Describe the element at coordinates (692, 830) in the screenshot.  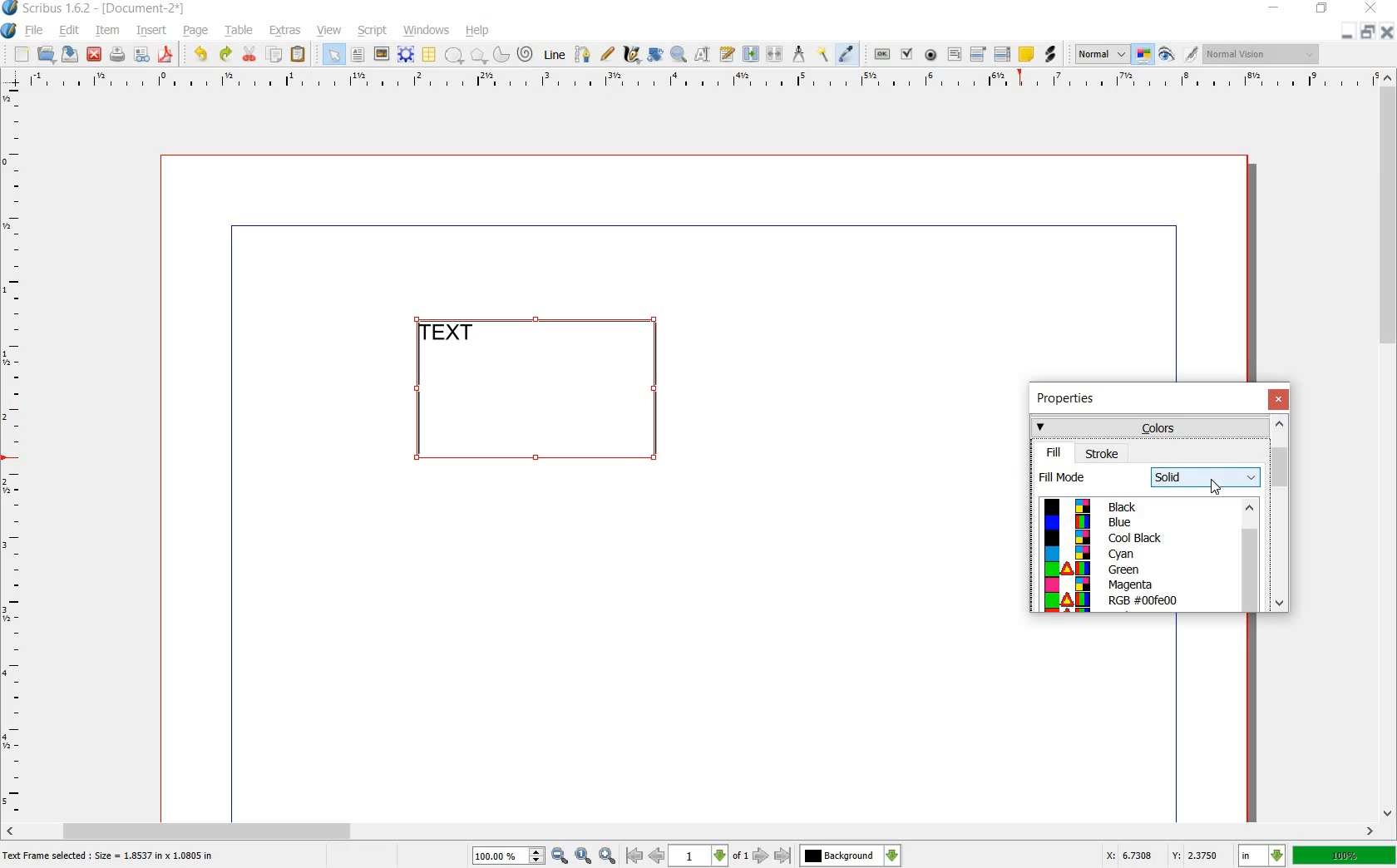
I see `scroll bar` at that location.